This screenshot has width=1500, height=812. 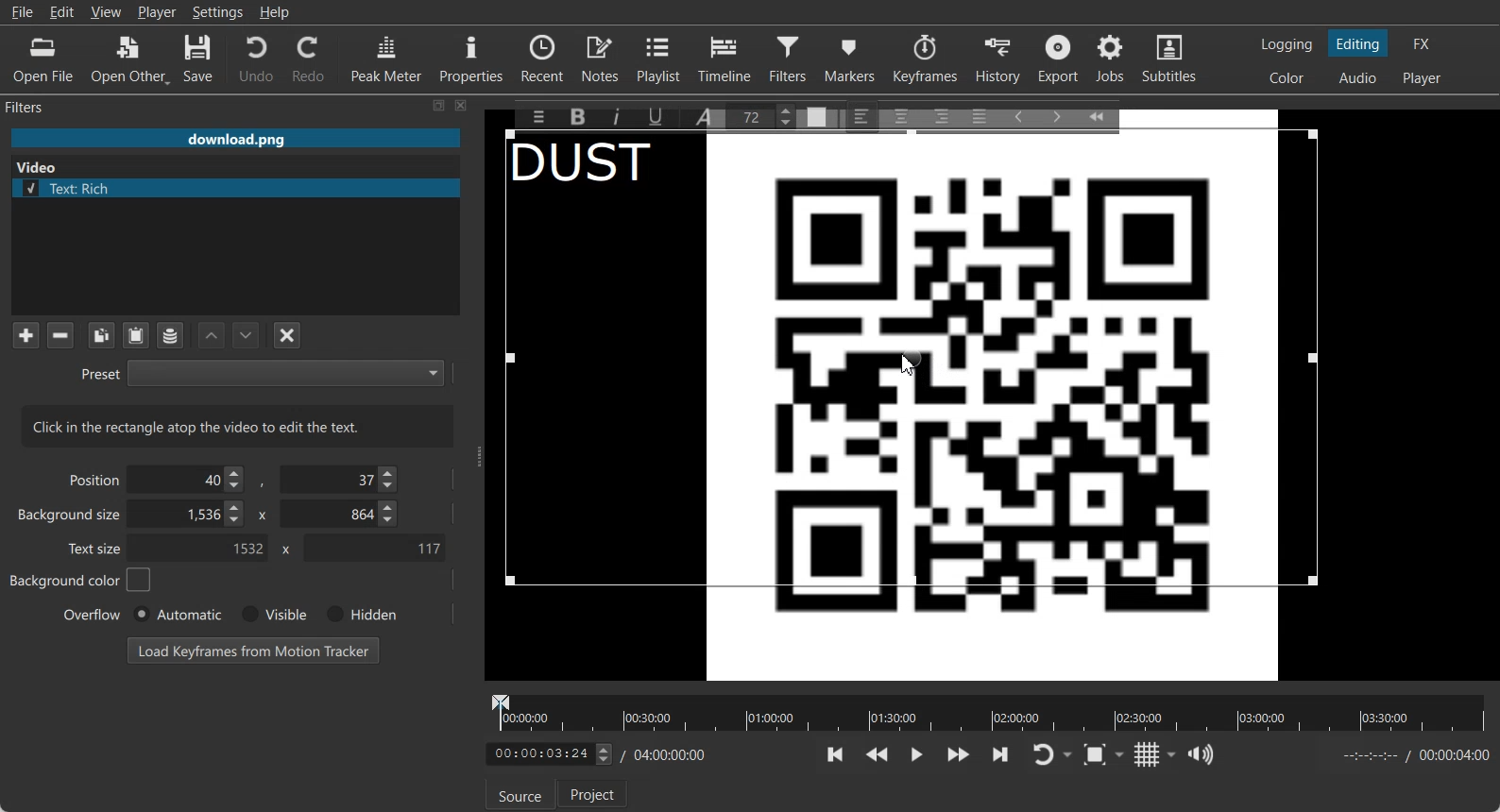 What do you see at coordinates (26, 334) in the screenshot?
I see `Add a filter` at bounding box center [26, 334].